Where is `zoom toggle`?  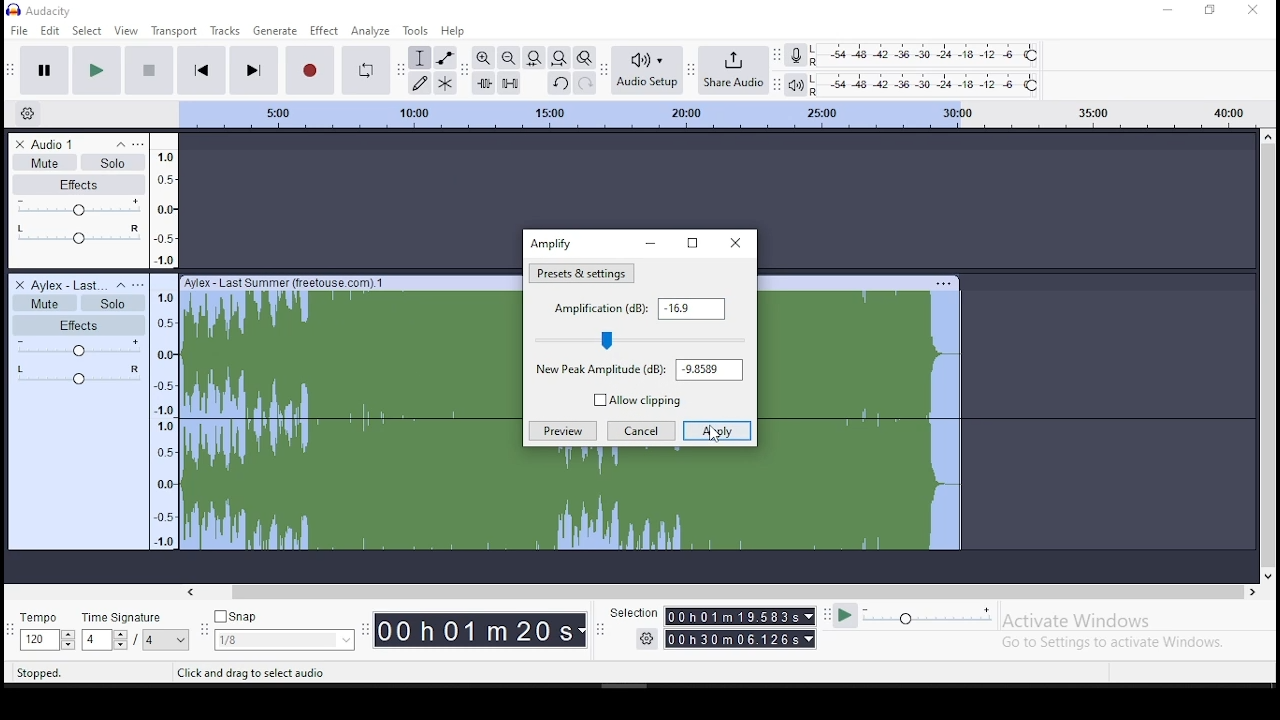 zoom toggle is located at coordinates (584, 57).